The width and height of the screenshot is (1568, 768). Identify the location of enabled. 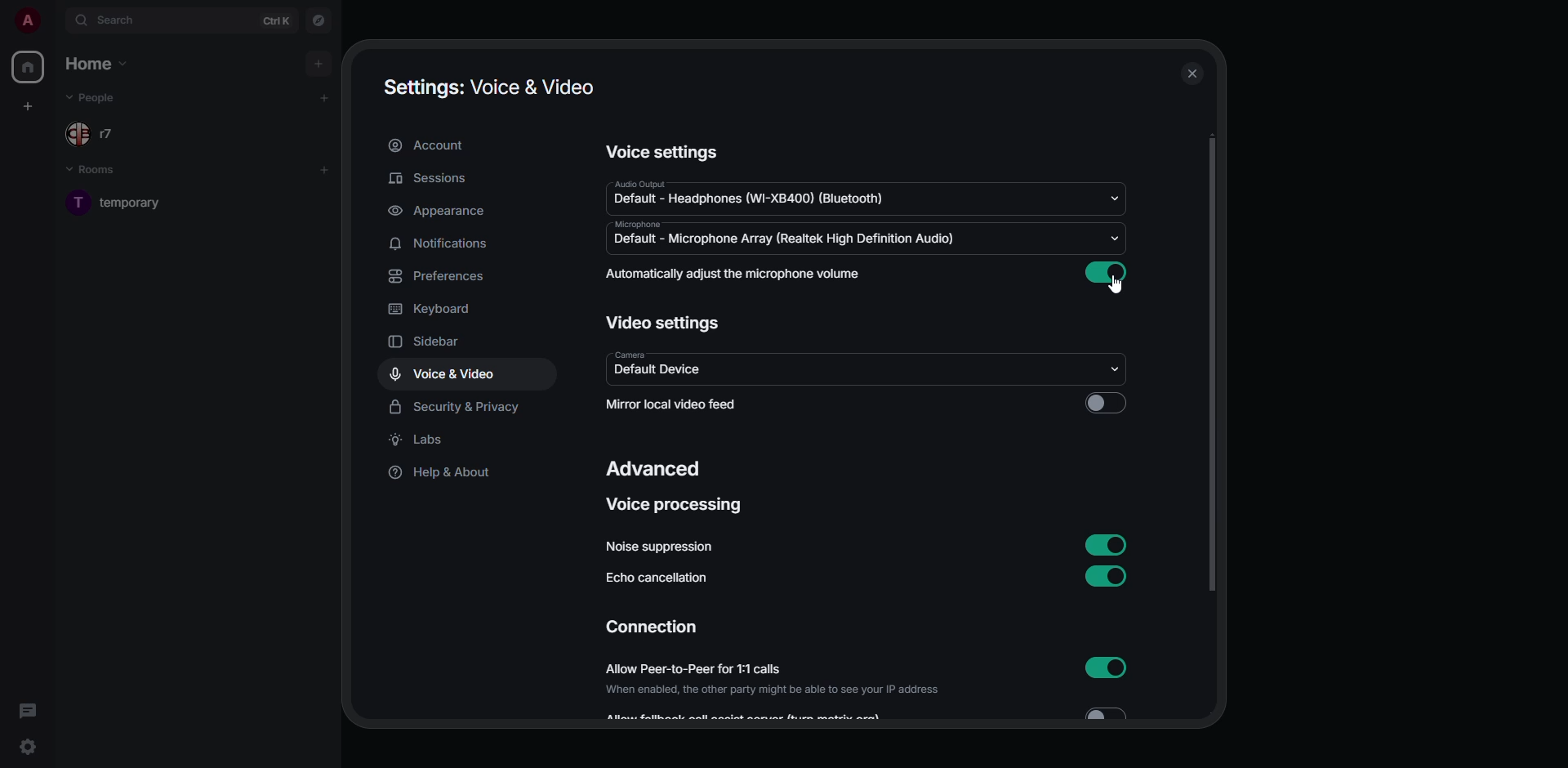
(1105, 667).